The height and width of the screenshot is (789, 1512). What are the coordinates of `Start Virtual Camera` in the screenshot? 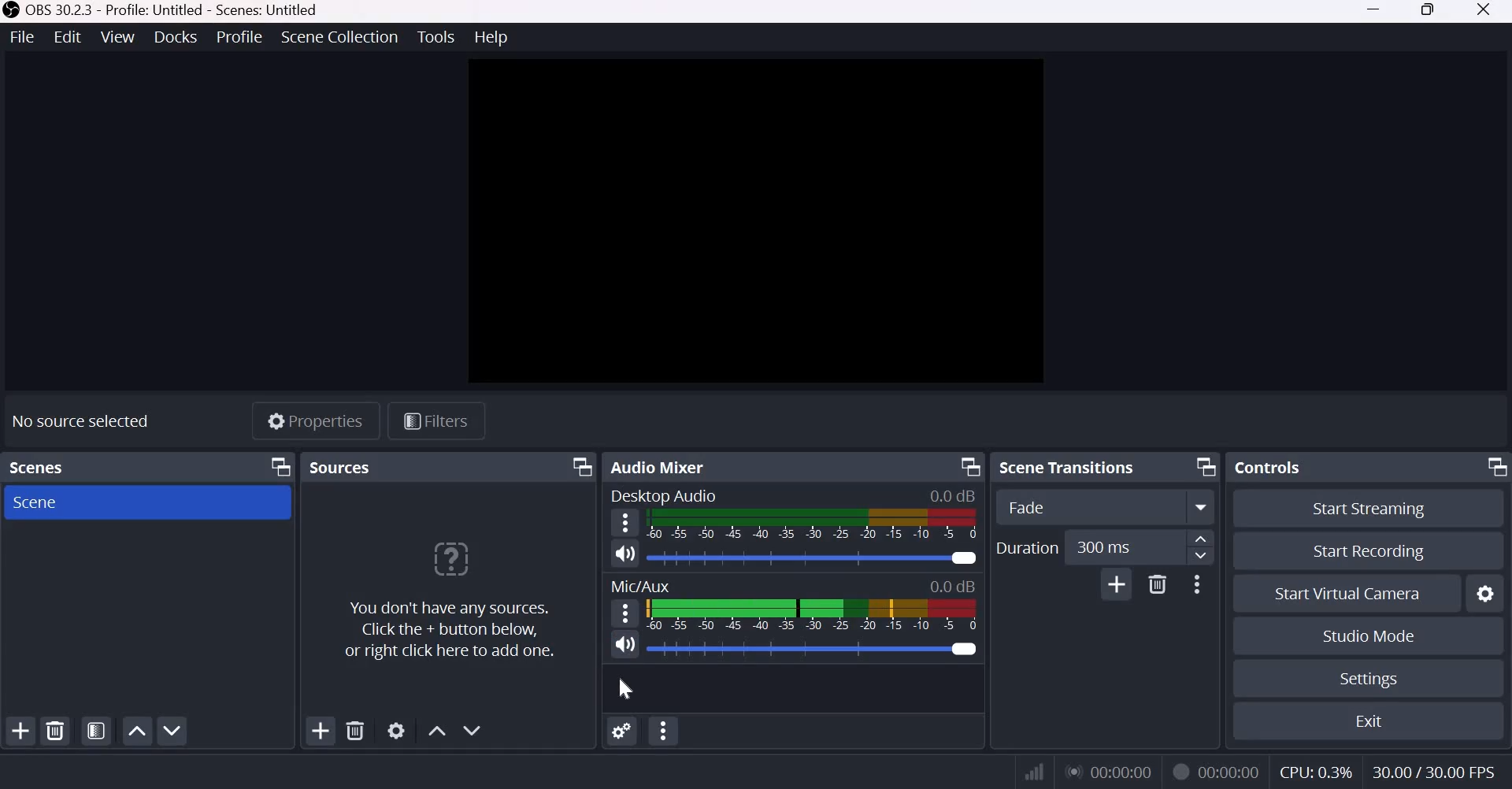 It's located at (1344, 591).